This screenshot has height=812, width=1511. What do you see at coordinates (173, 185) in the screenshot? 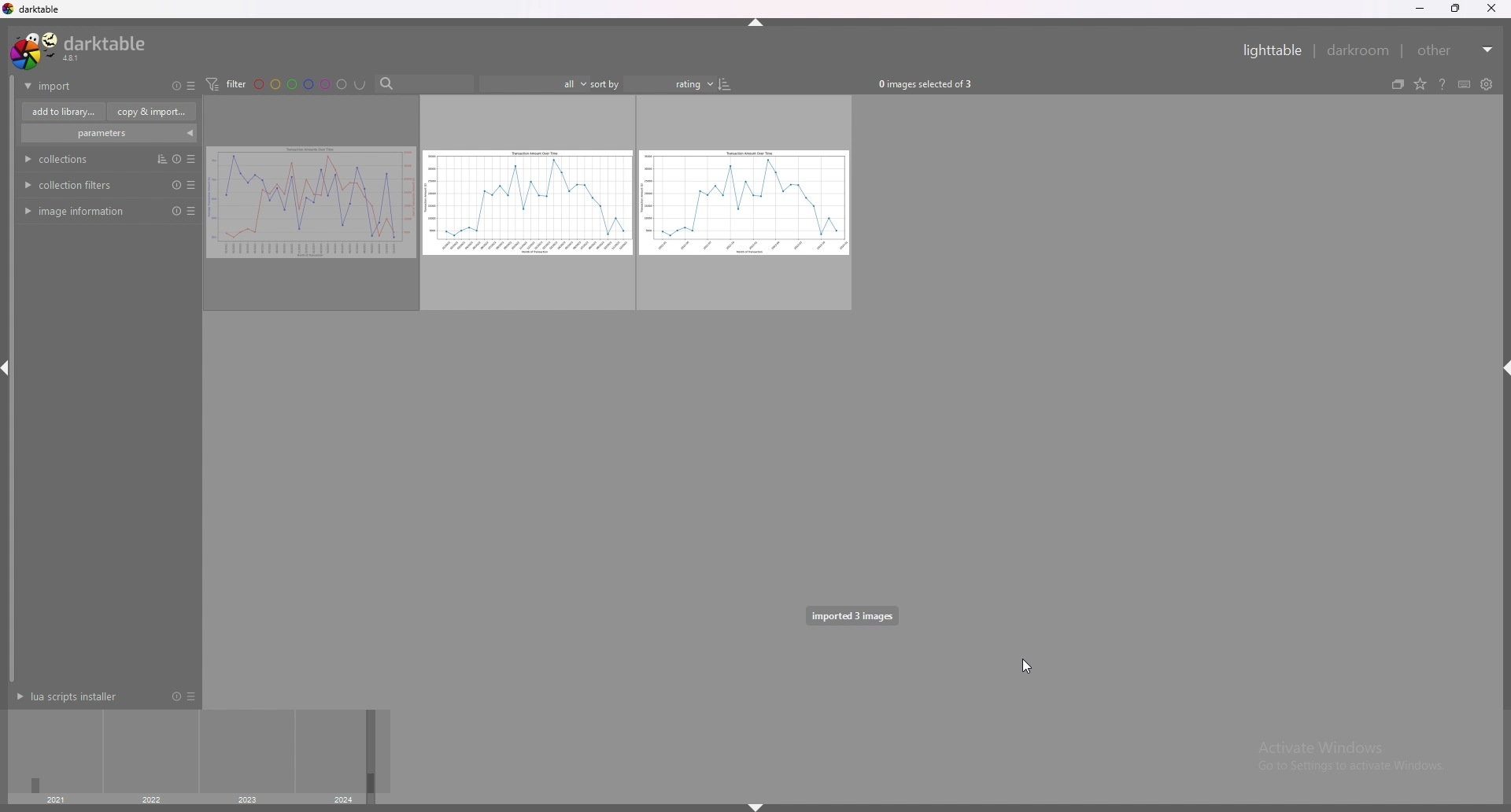
I see `reset` at bounding box center [173, 185].